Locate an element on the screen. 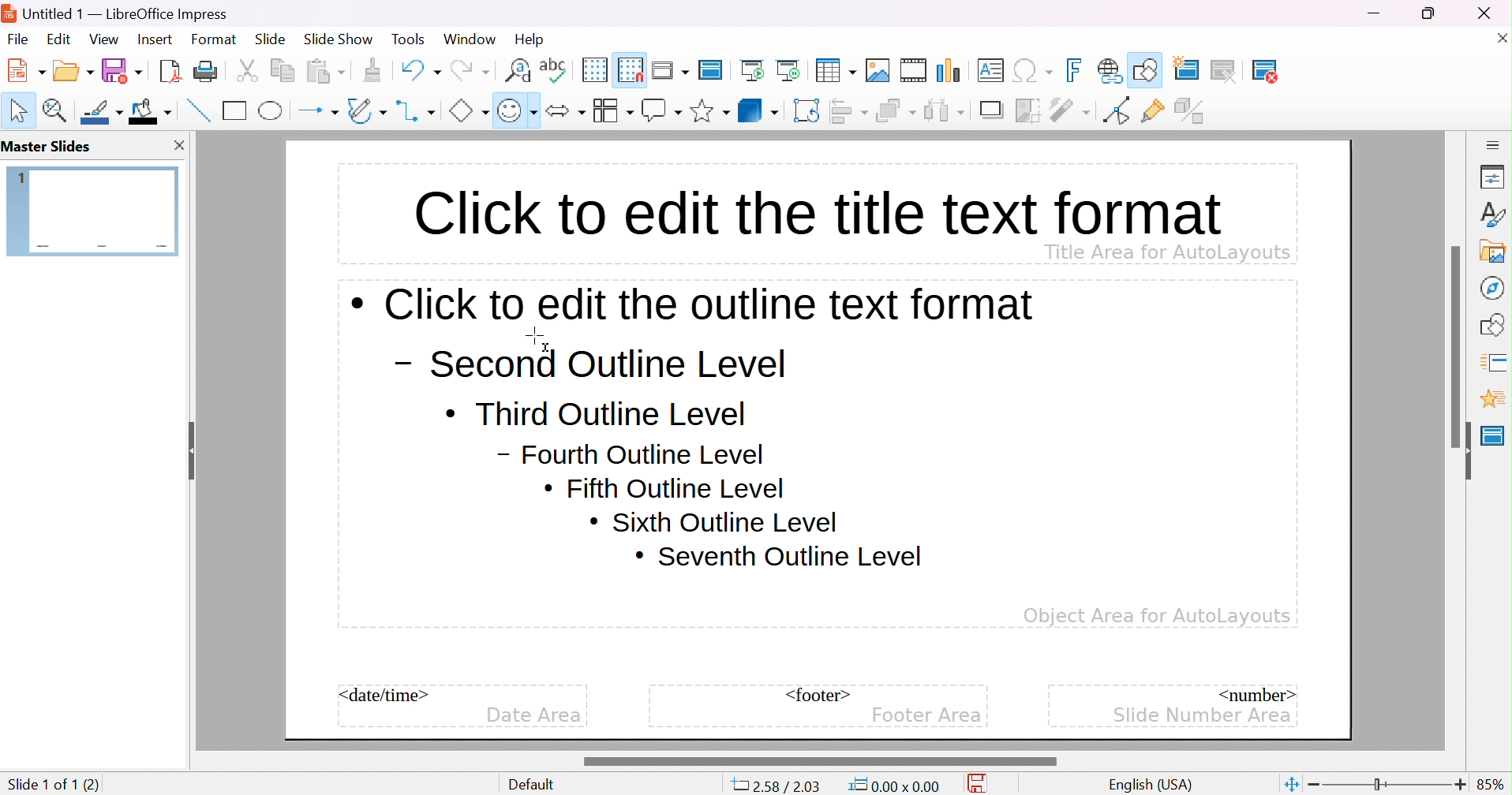 This screenshot has width=1512, height=795. zoom in/out is located at coordinates (1387, 785).